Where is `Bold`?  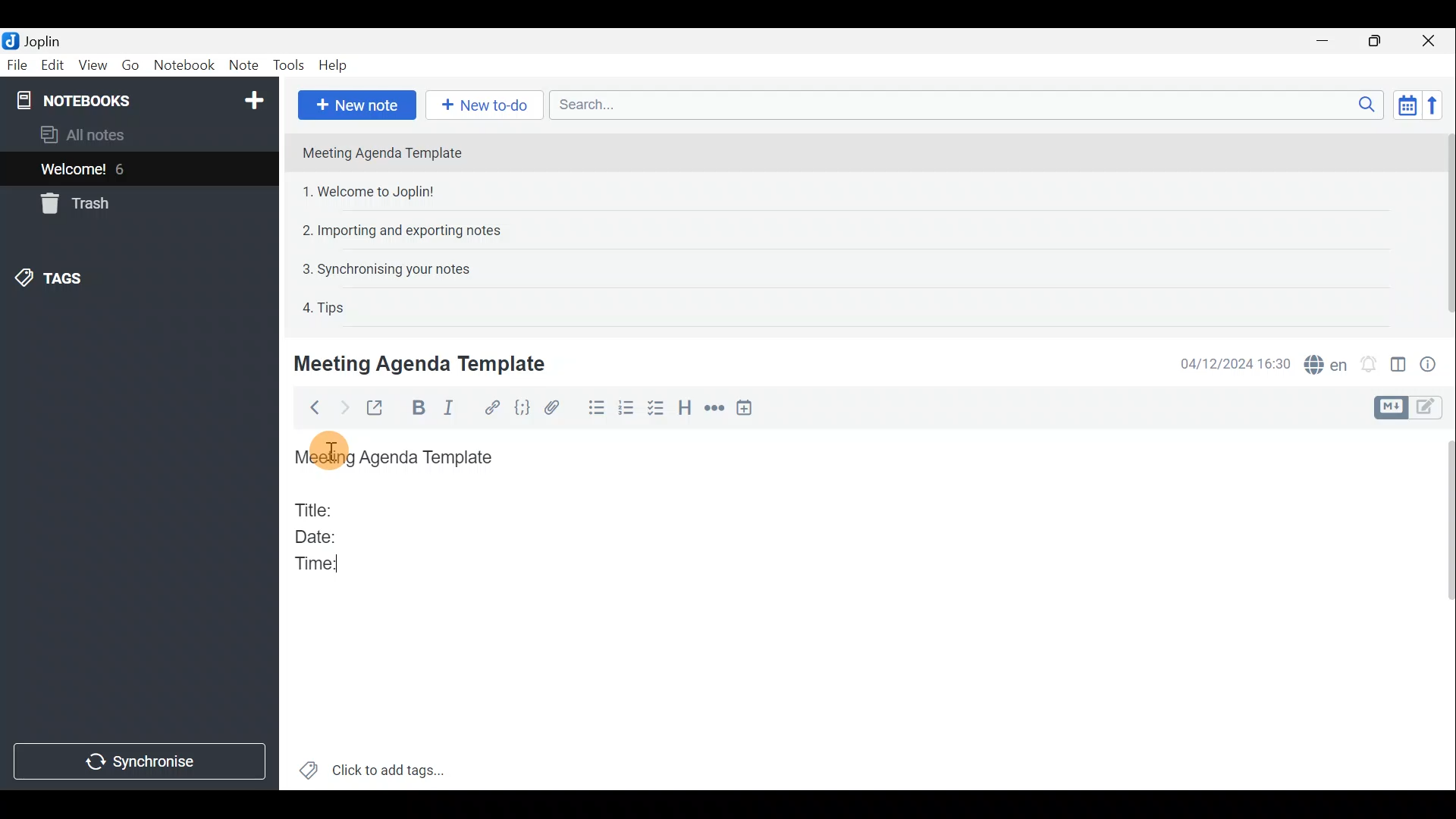 Bold is located at coordinates (419, 408).